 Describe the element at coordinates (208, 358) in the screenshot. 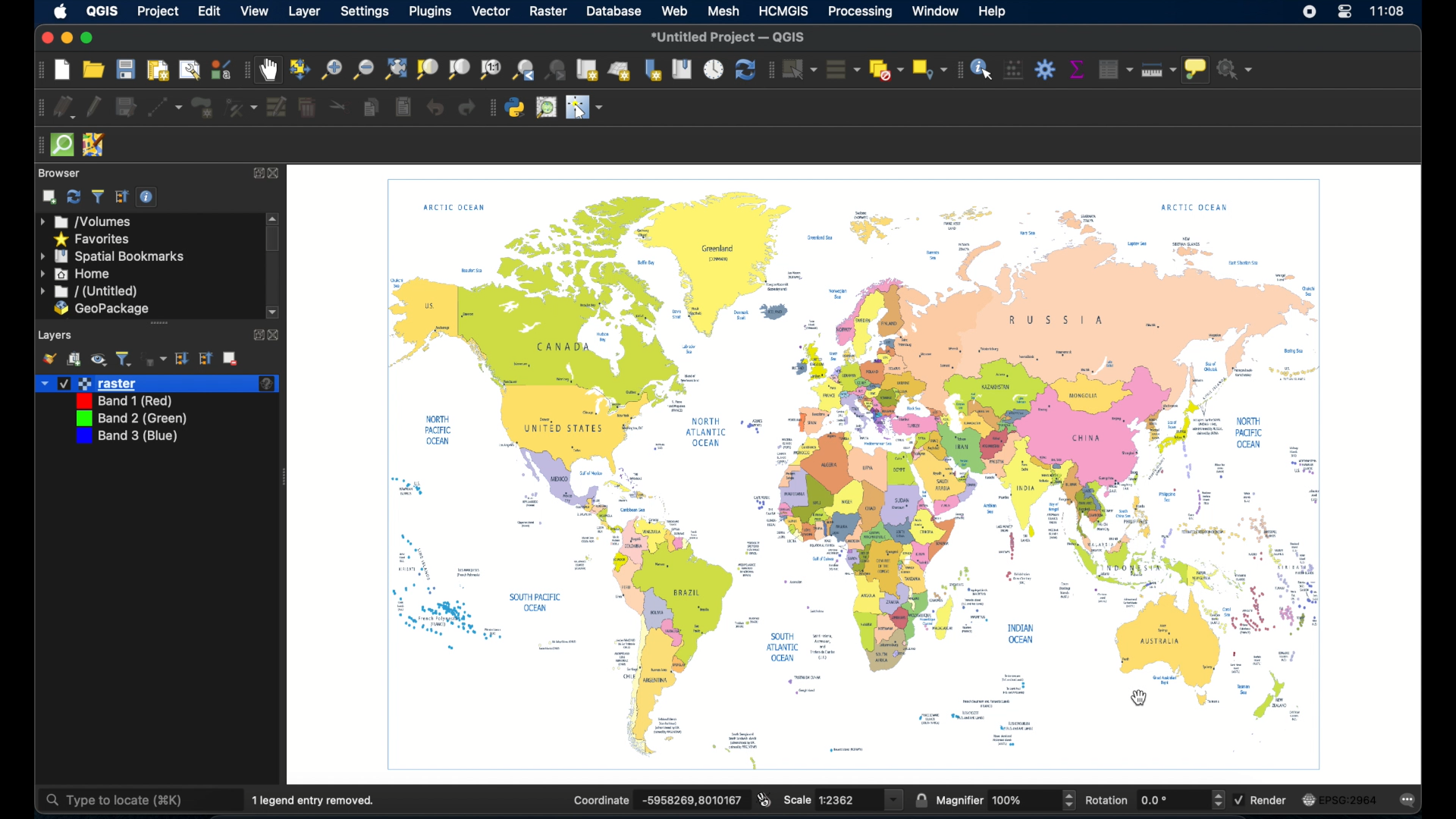

I see `collapse all` at that location.